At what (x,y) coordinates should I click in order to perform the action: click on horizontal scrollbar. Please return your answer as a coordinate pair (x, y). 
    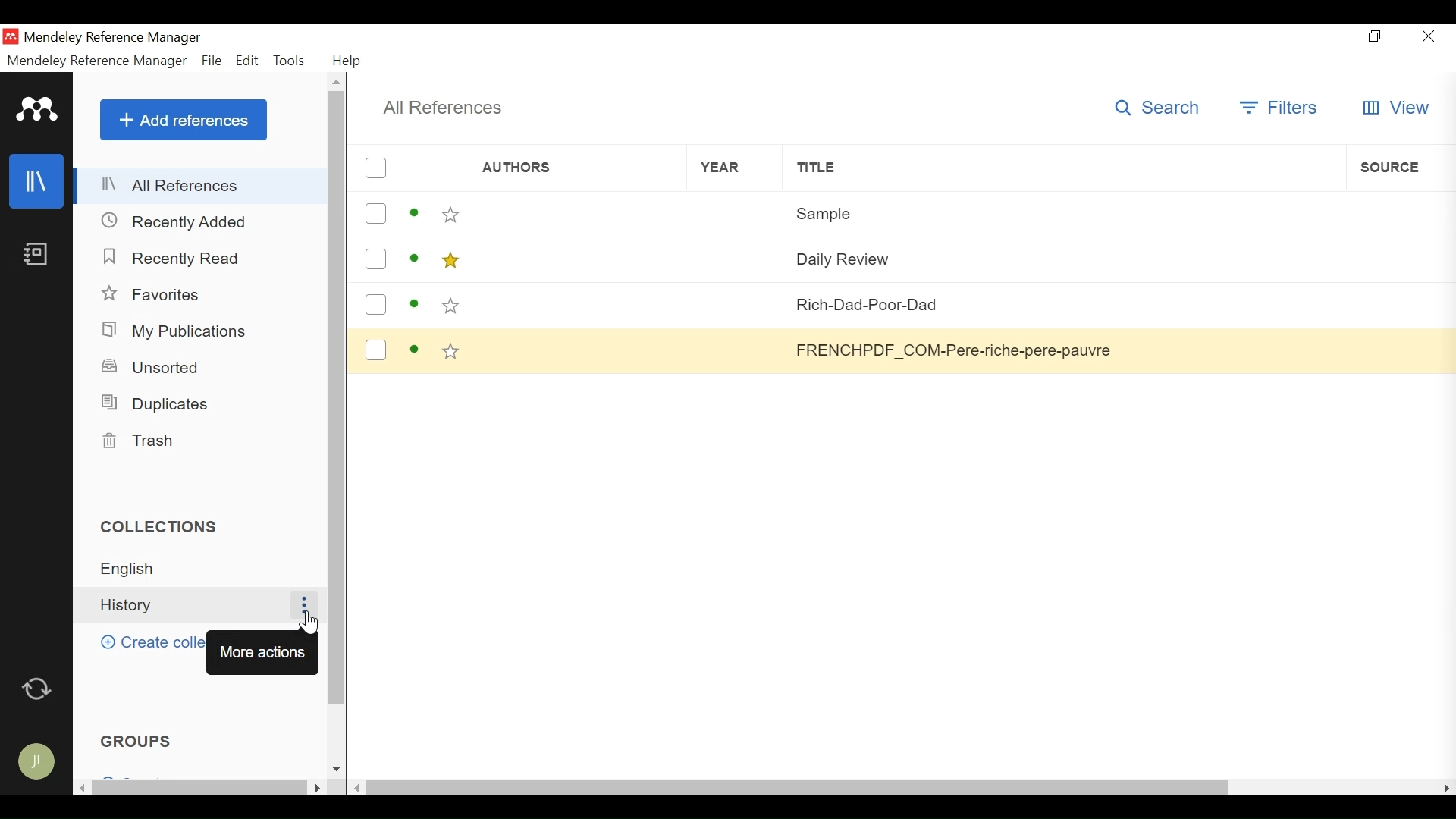
    Looking at the image, I should click on (199, 788).